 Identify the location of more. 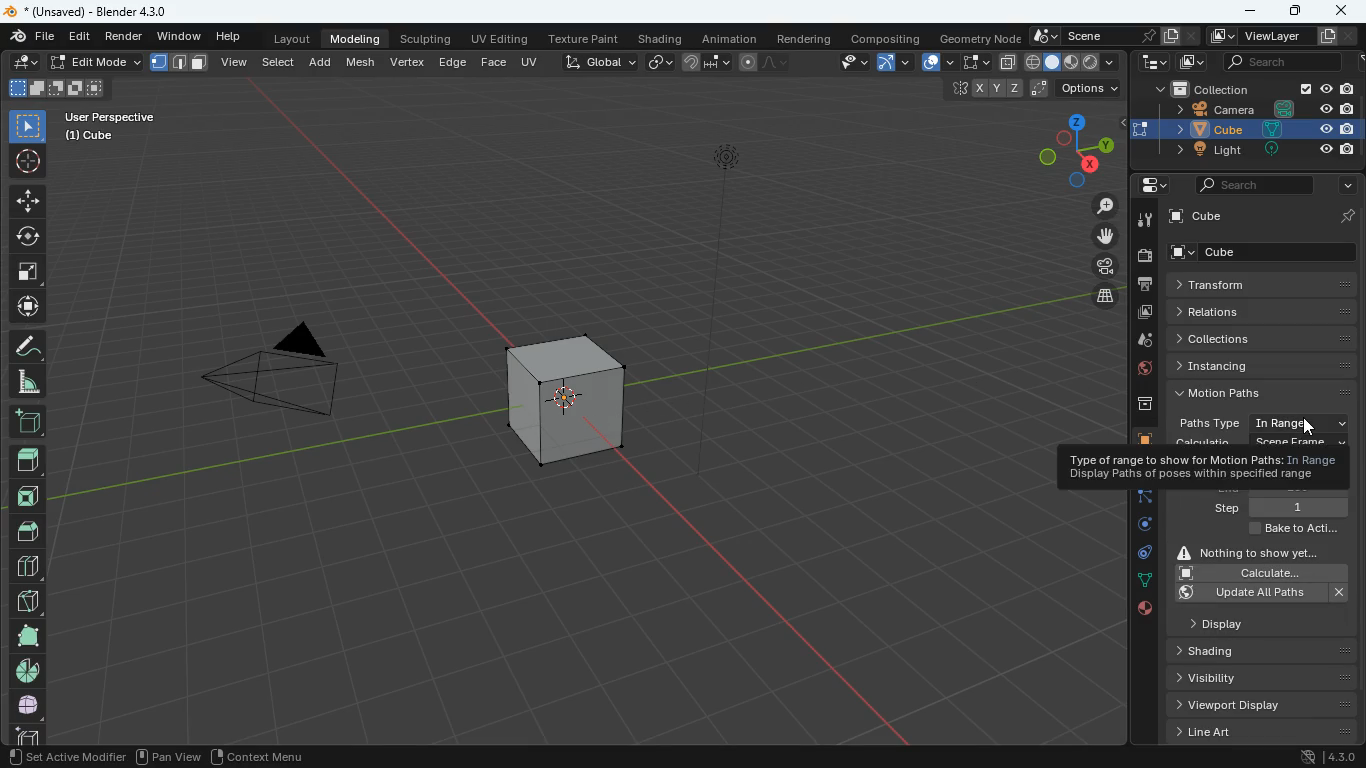
(1343, 186).